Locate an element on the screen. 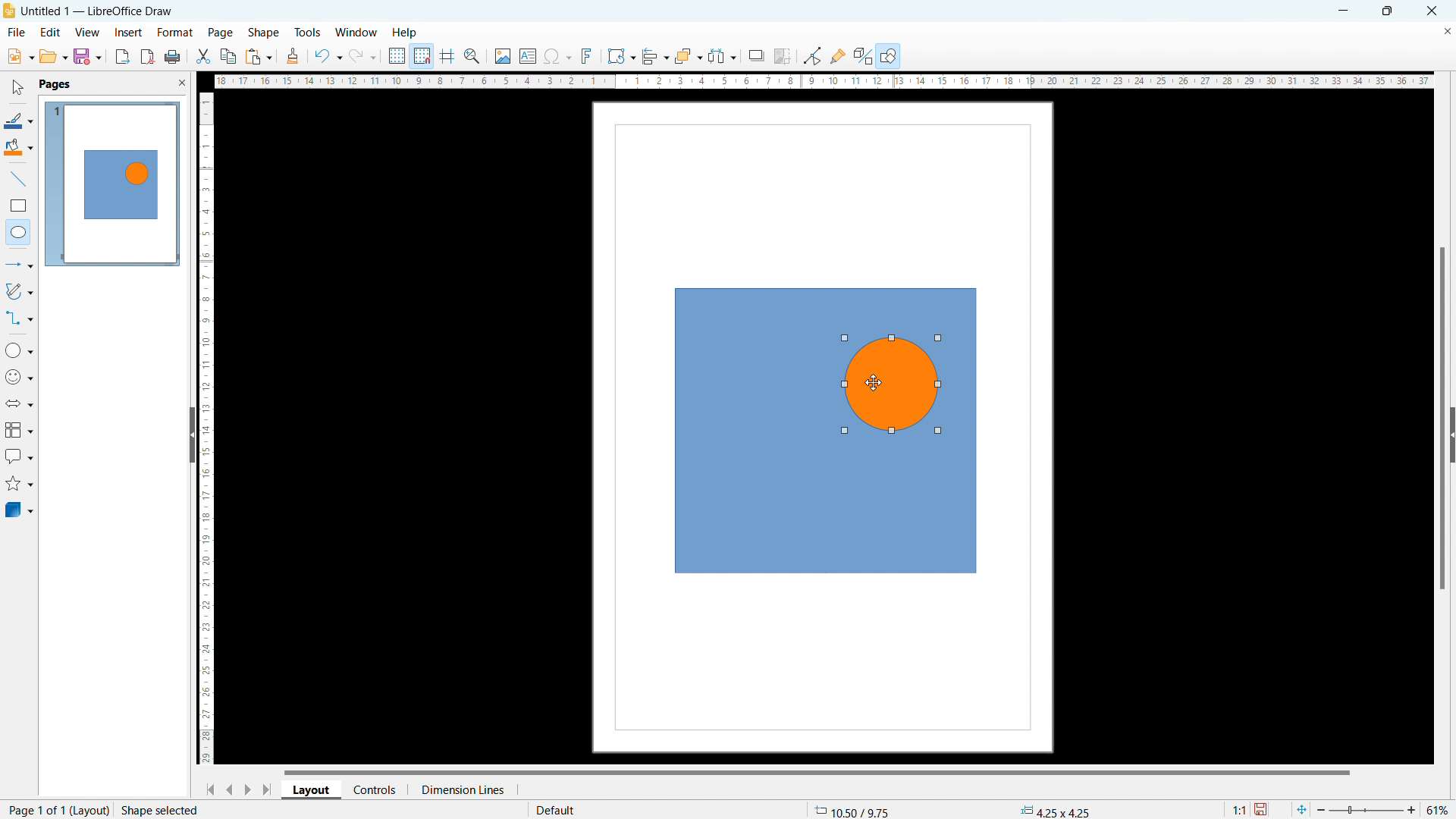  3D objects is located at coordinates (18, 509).